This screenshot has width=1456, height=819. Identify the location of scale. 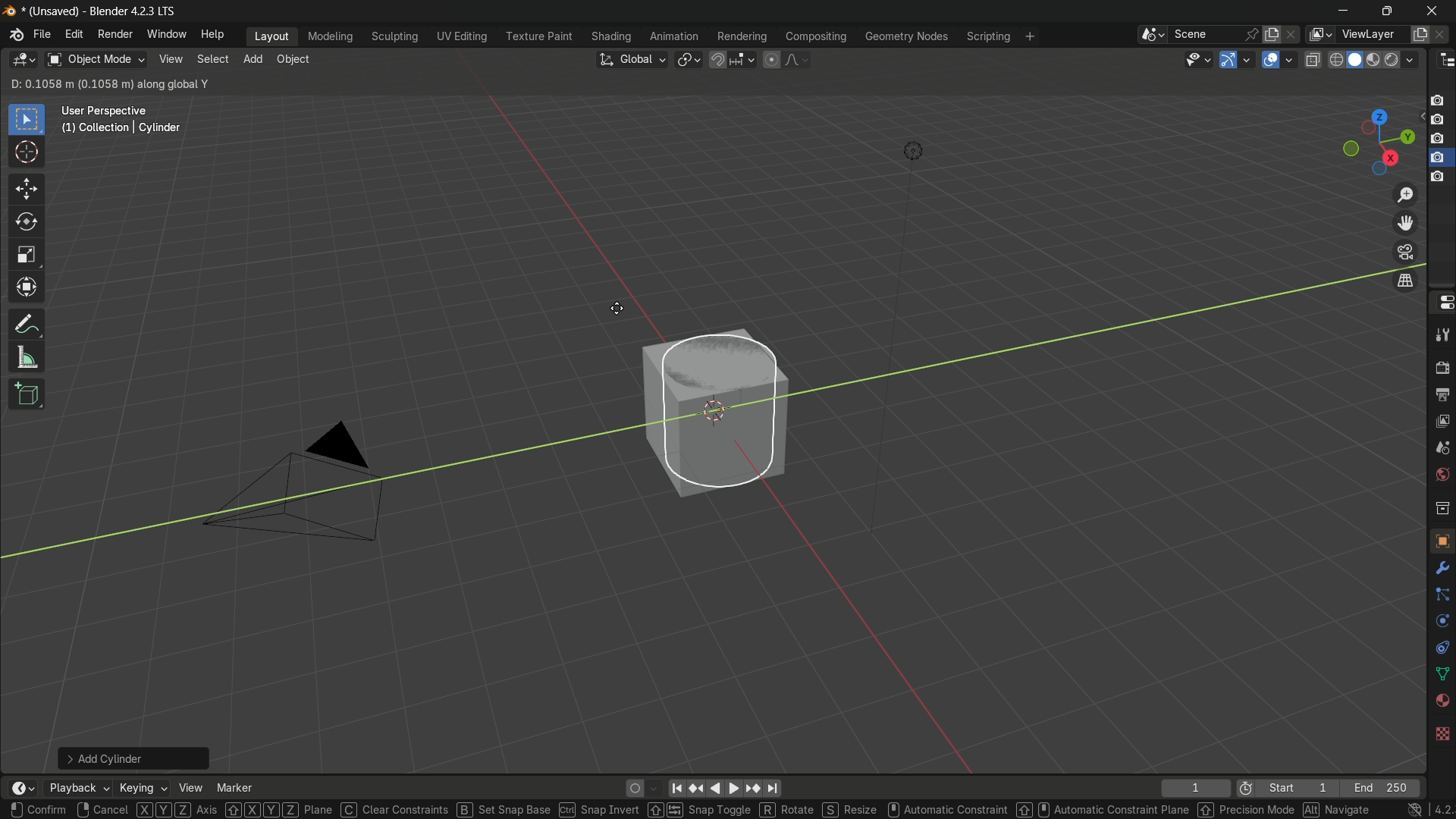
(26, 255).